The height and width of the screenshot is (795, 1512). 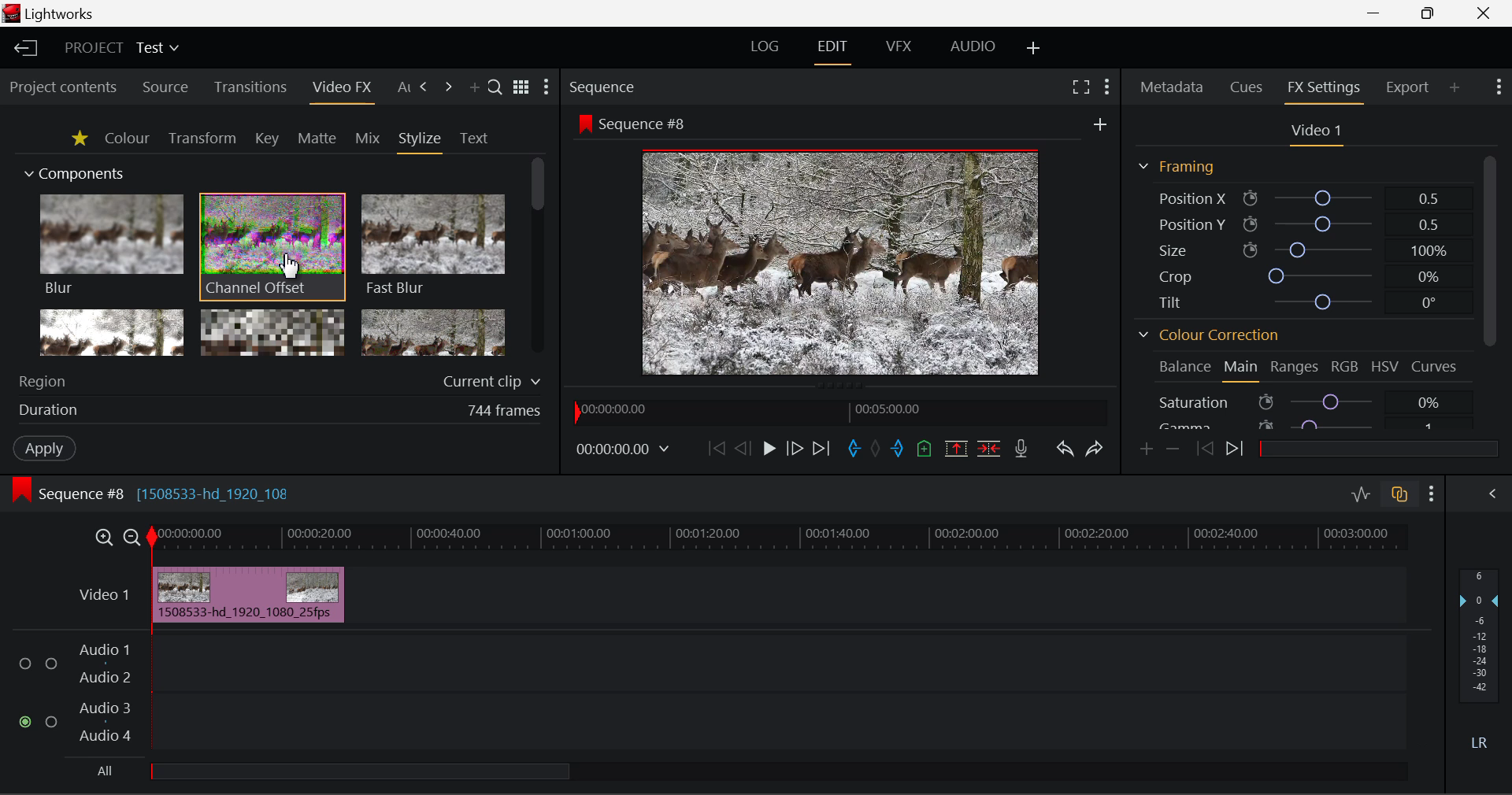 What do you see at coordinates (899, 50) in the screenshot?
I see `VFX Layout` at bounding box center [899, 50].